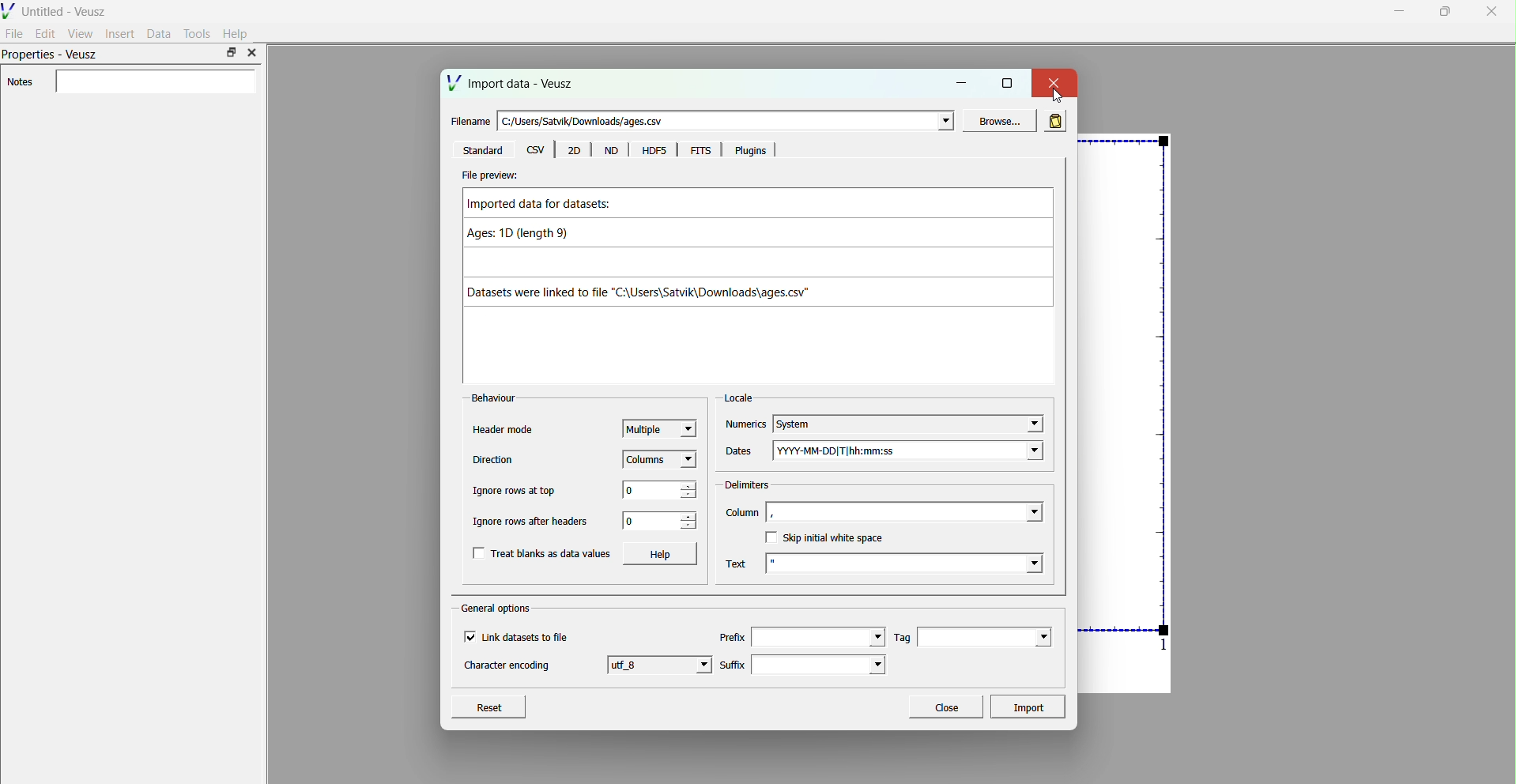 This screenshot has height=784, width=1516. Describe the element at coordinates (906, 563) in the screenshot. I see `text field` at that location.